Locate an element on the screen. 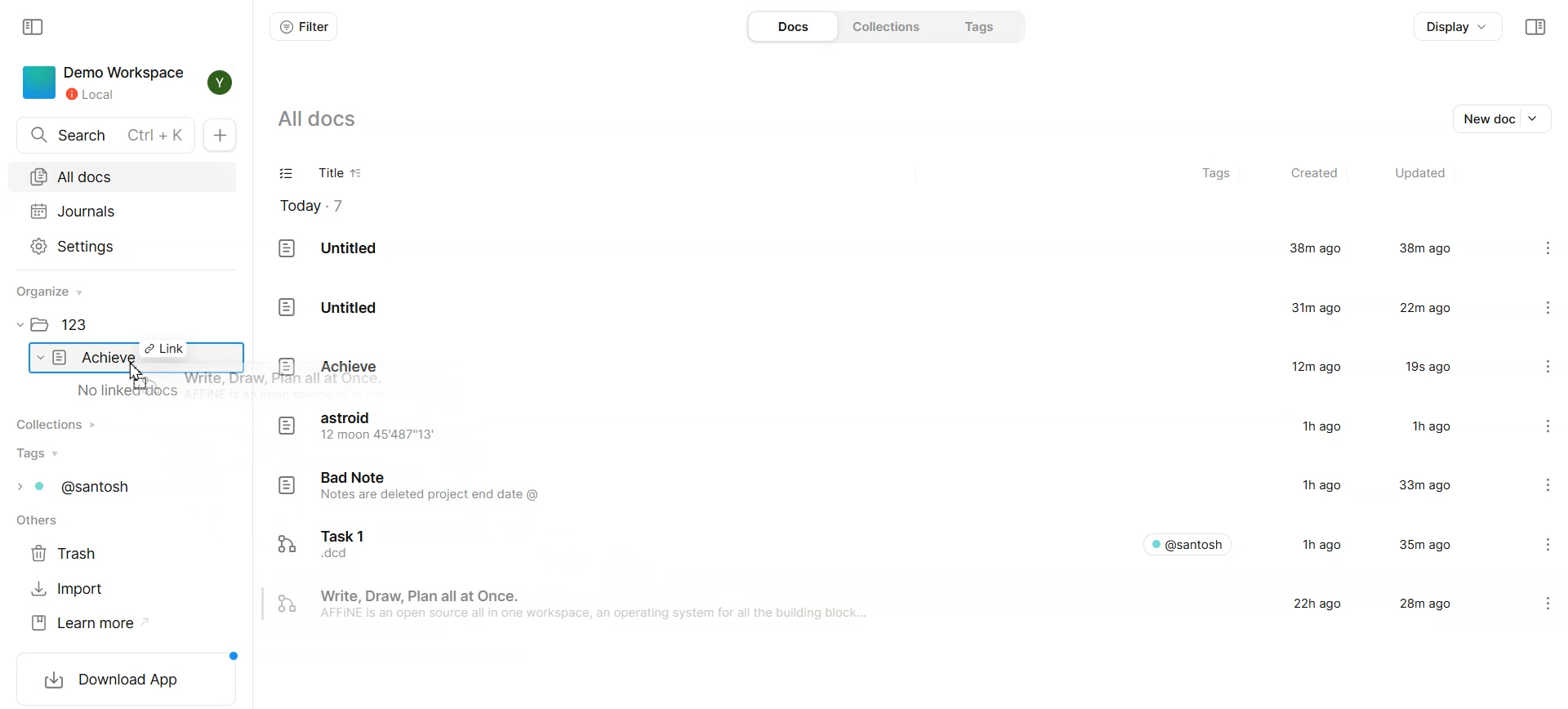  Profile is located at coordinates (216, 82).